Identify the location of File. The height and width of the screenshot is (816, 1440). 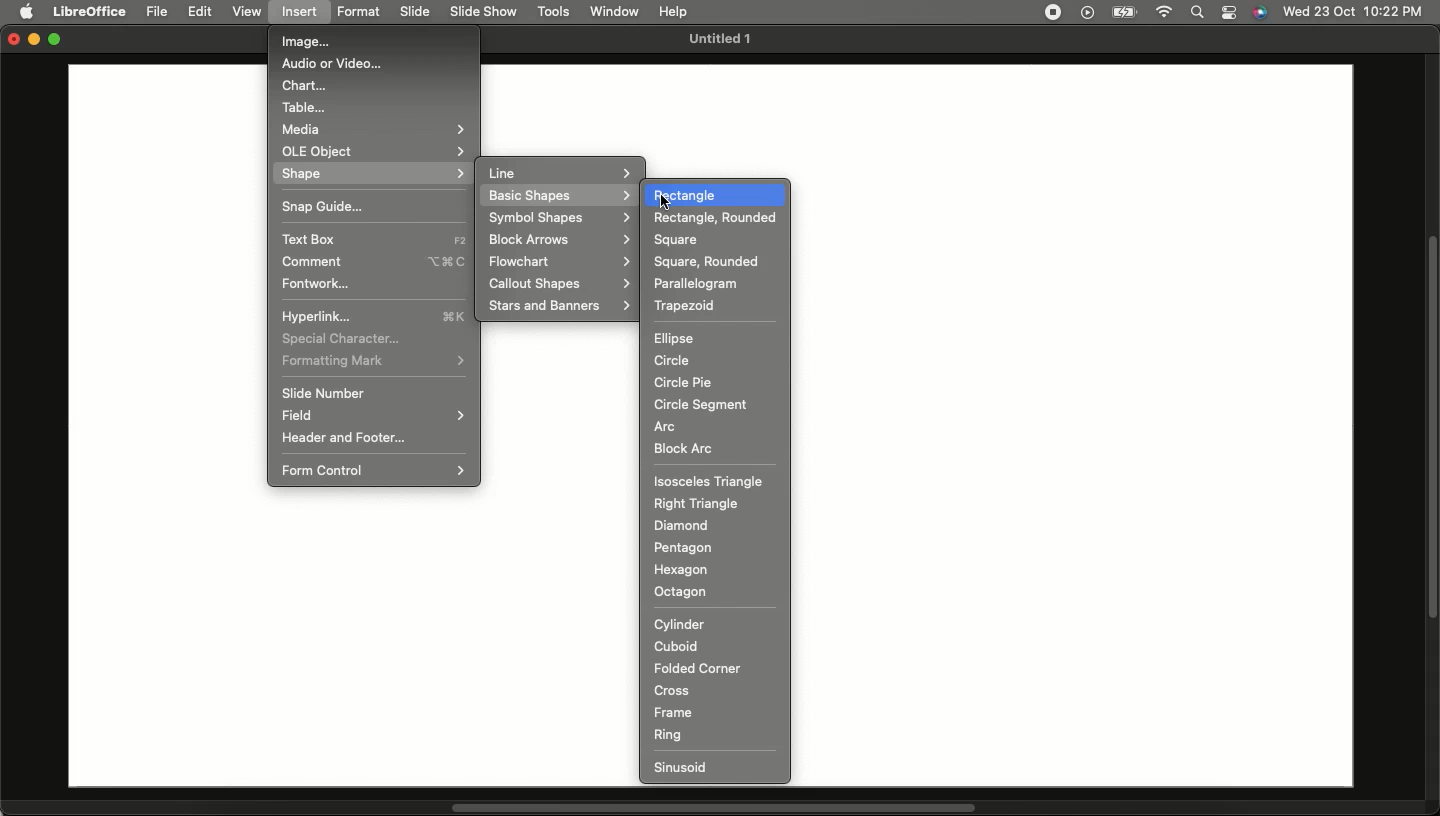
(159, 12).